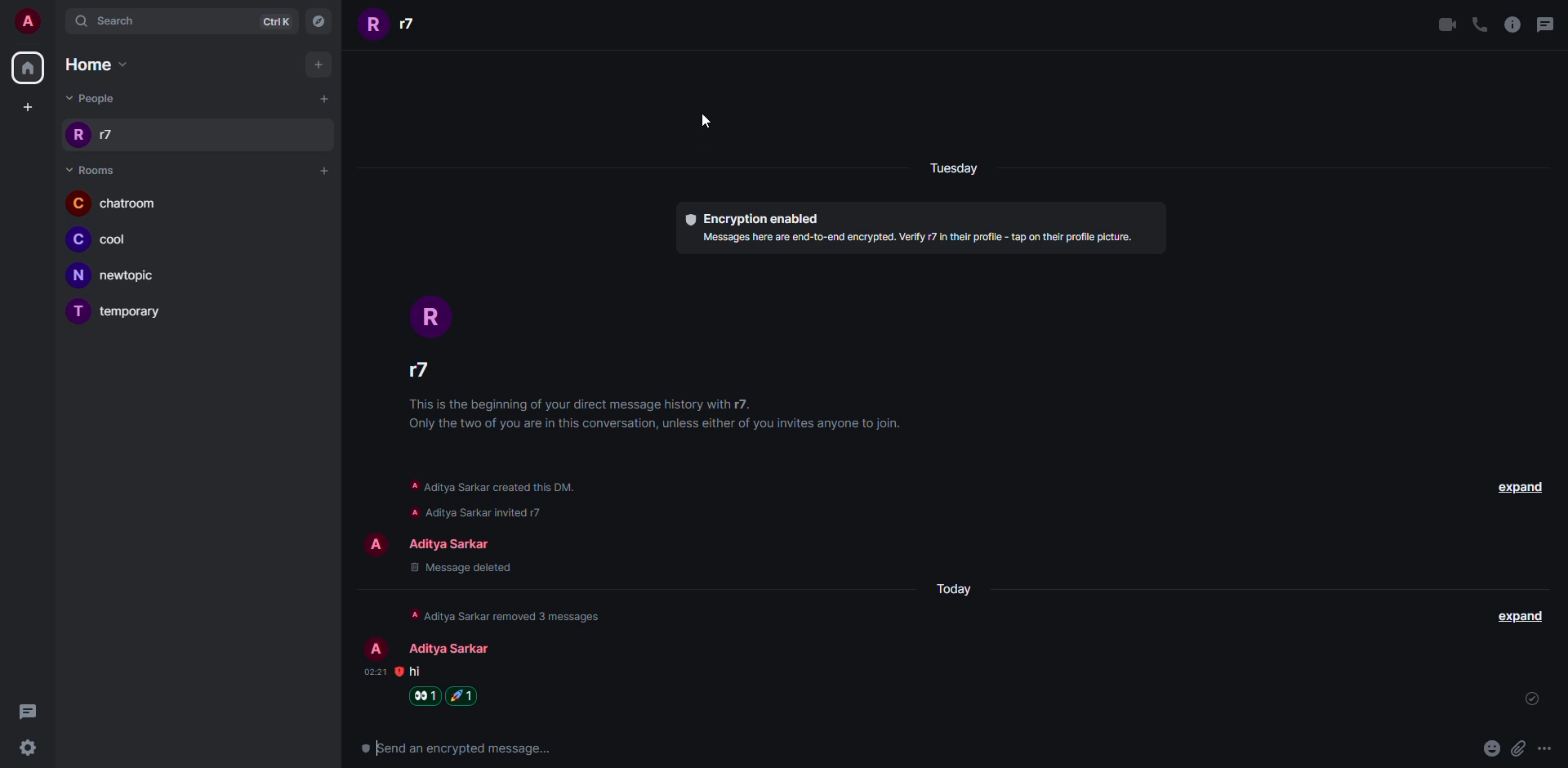 Image resolution: width=1568 pixels, height=768 pixels. I want to click on message, so click(416, 672).